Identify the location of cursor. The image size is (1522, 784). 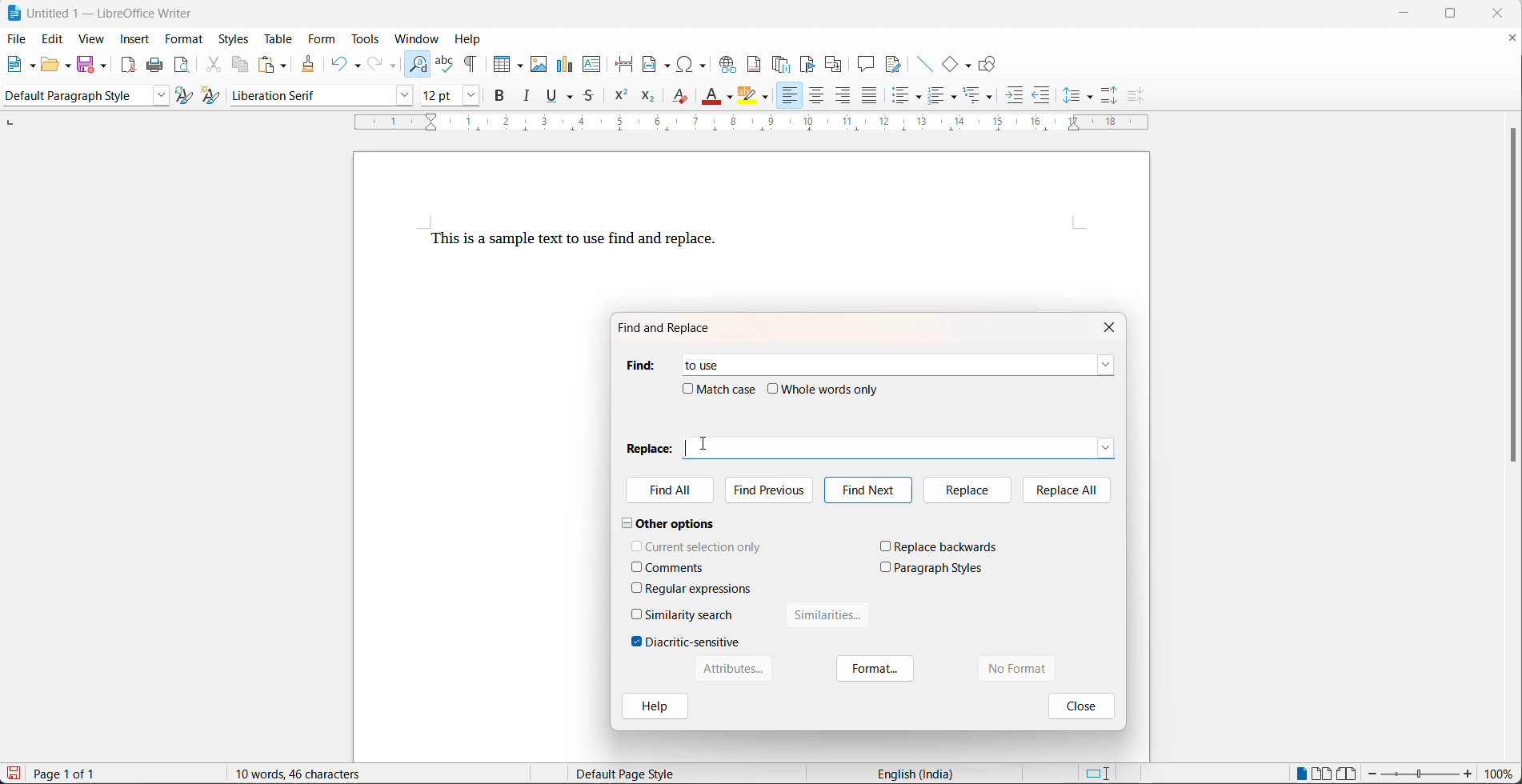
(704, 443).